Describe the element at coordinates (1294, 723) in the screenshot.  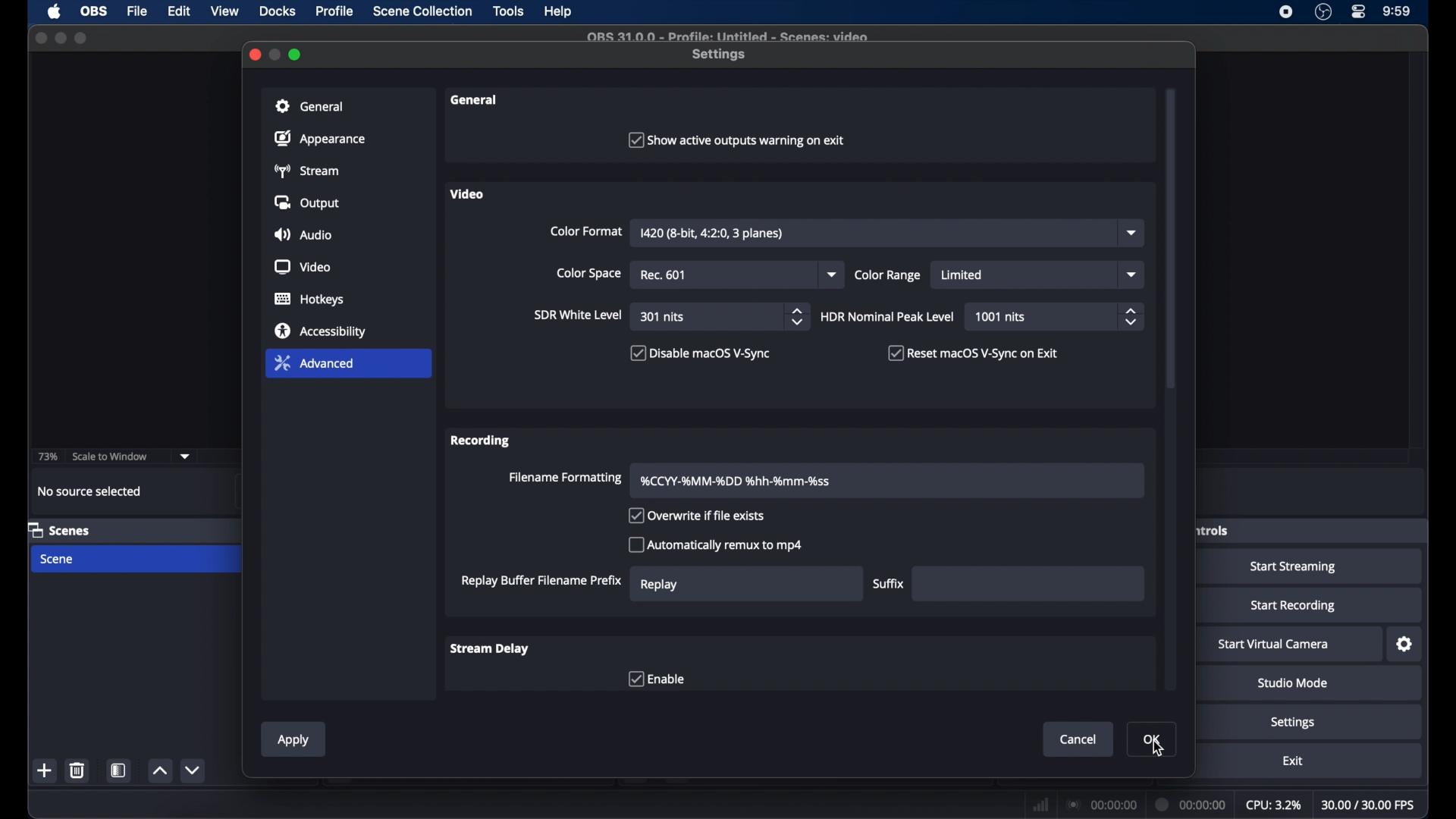
I see `settings` at that location.